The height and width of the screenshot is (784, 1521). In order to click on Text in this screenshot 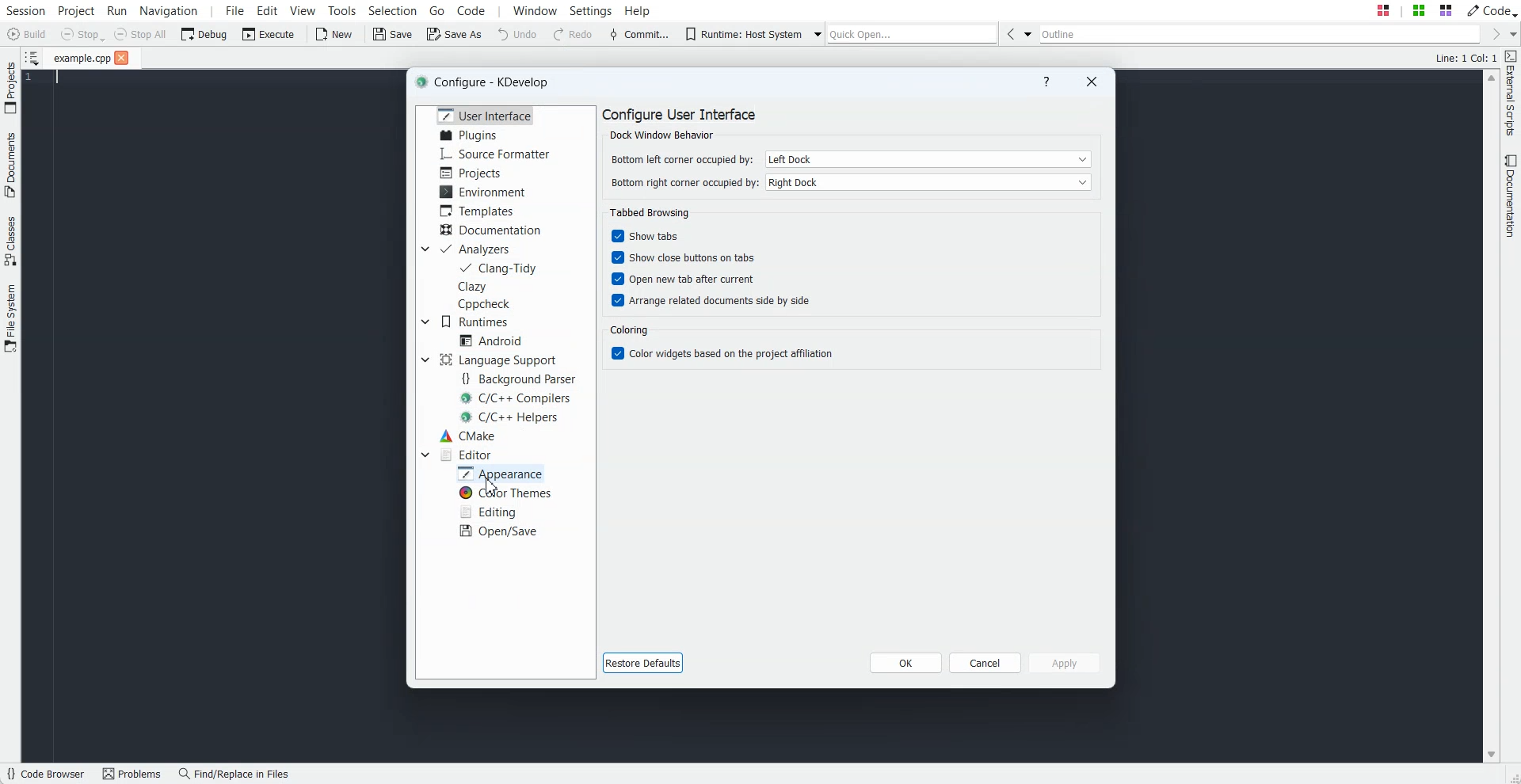, I will do `click(679, 122)`.